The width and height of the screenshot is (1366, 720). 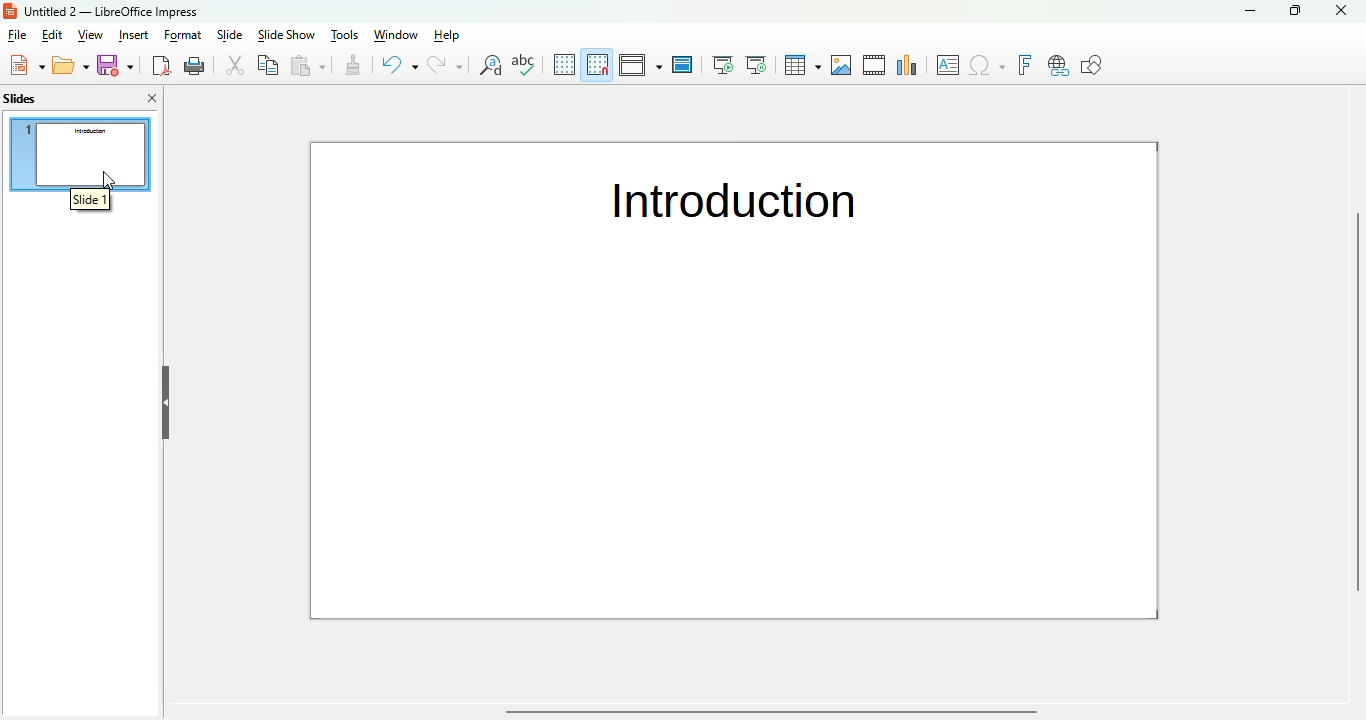 What do you see at coordinates (1296, 10) in the screenshot?
I see `maximize` at bounding box center [1296, 10].